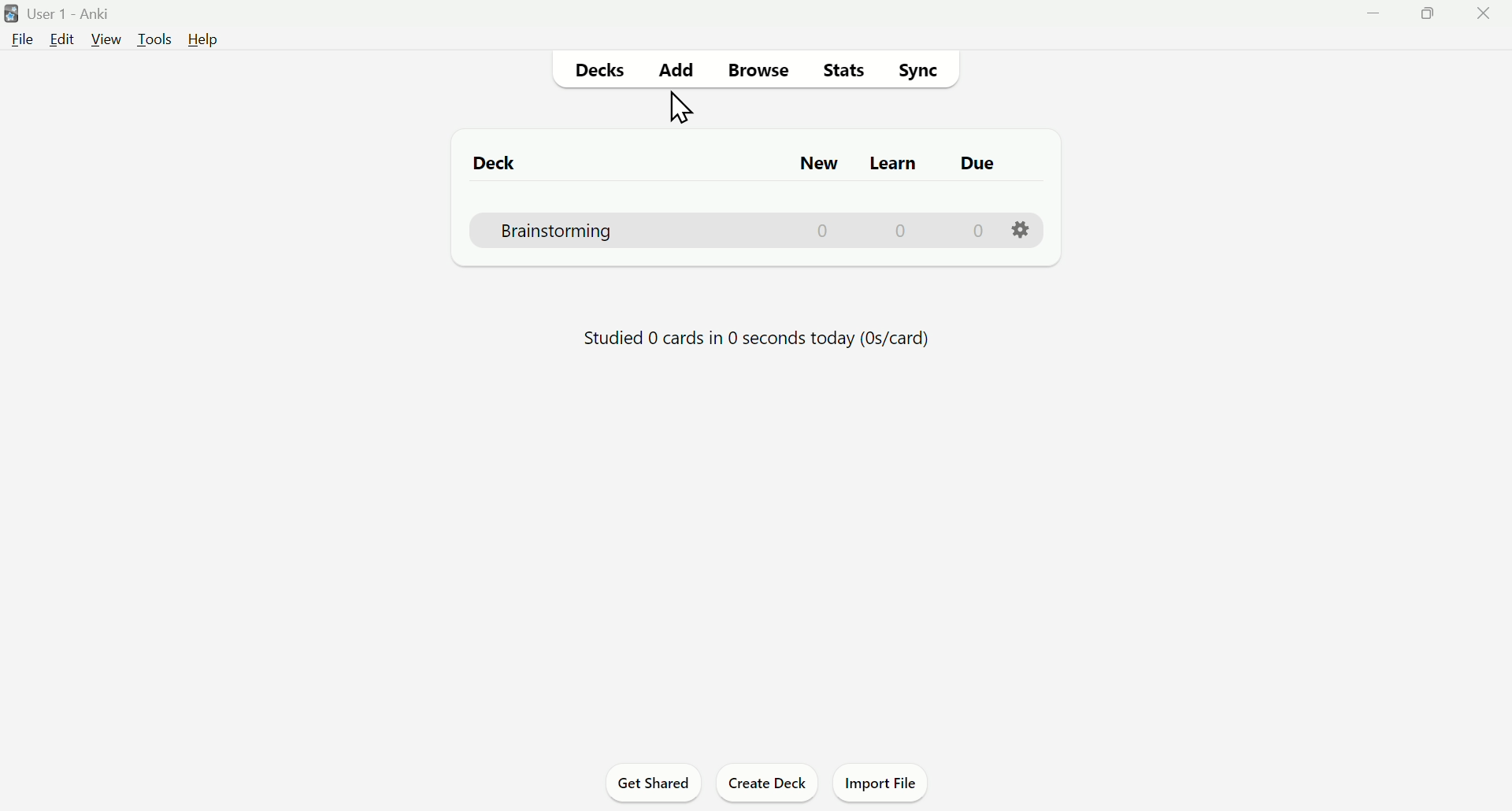 This screenshot has width=1512, height=811. I want to click on , so click(65, 38).